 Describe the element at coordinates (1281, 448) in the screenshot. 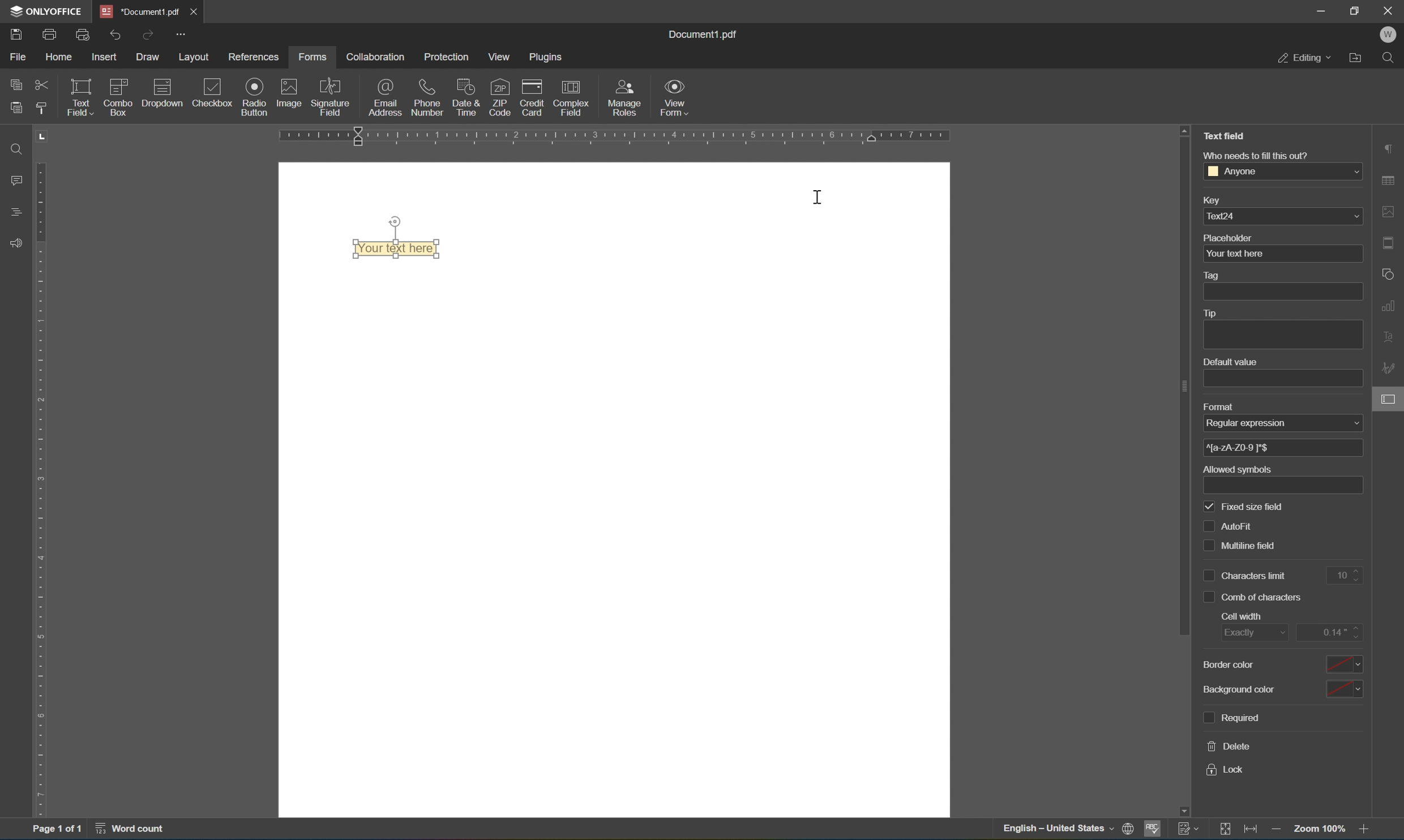

I see `^[a-zA-Z0-9 ]*$` at that location.